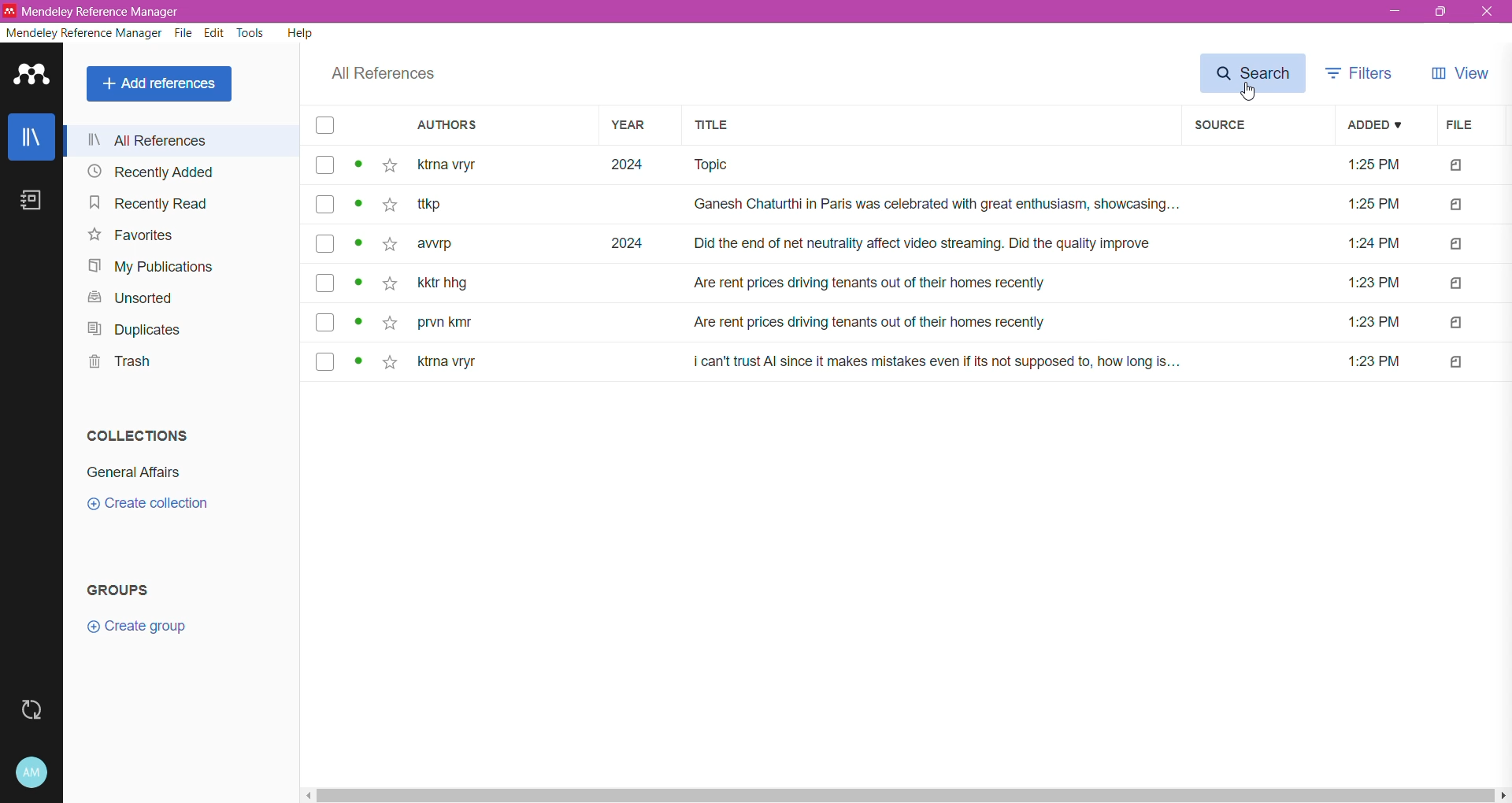 Image resolution: width=1512 pixels, height=803 pixels. What do you see at coordinates (182, 34) in the screenshot?
I see `File` at bounding box center [182, 34].